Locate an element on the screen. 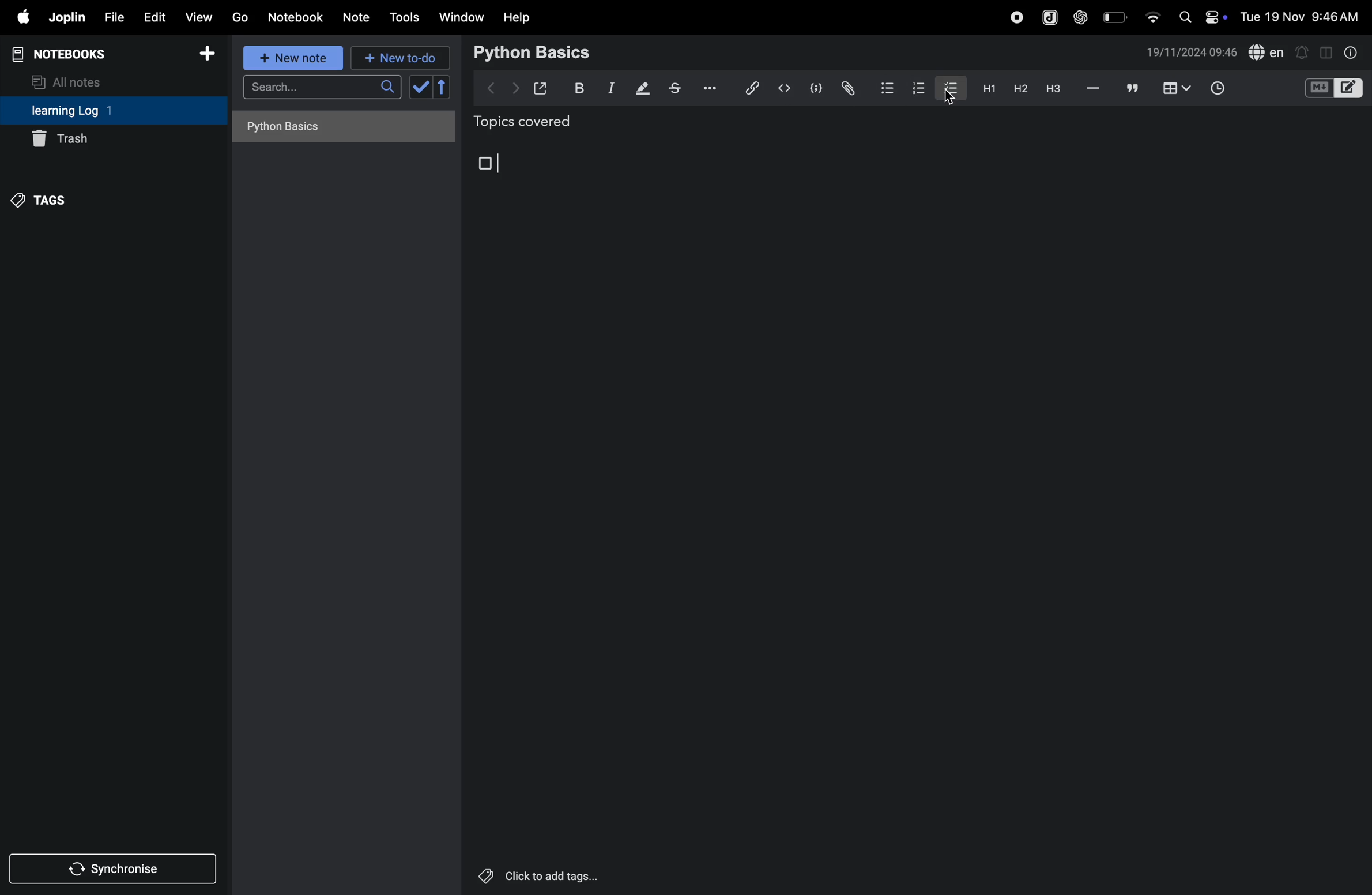  help is located at coordinates (517, 17).